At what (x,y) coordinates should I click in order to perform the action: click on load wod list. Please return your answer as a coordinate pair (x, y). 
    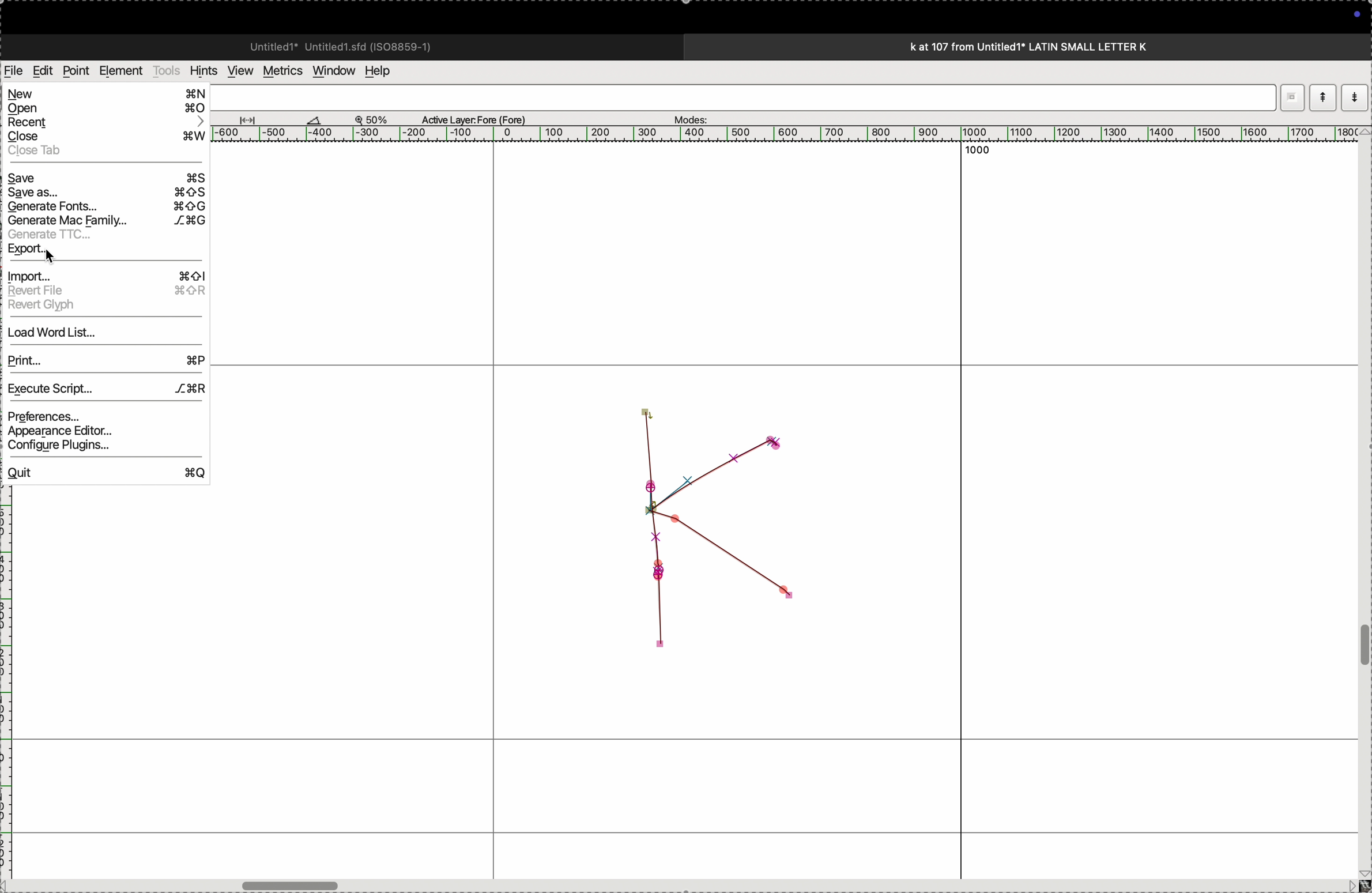
    Looking at the image, I should click on (104, 334).